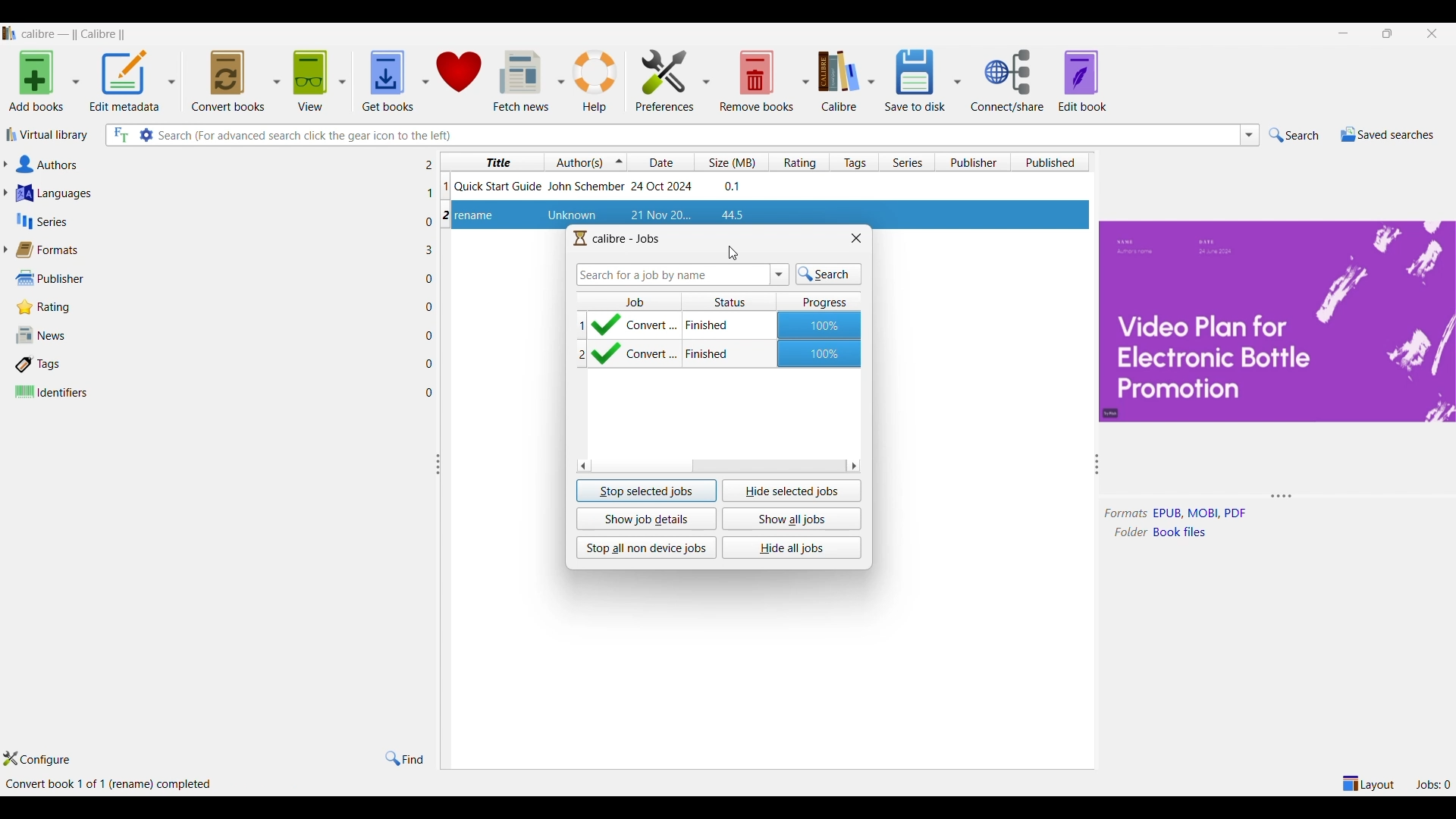 The image size is (1456, 819). What do you see at coordinates (146, 135) in the screenshot?
I see `Advanced search` at bounding box center [146, 135].